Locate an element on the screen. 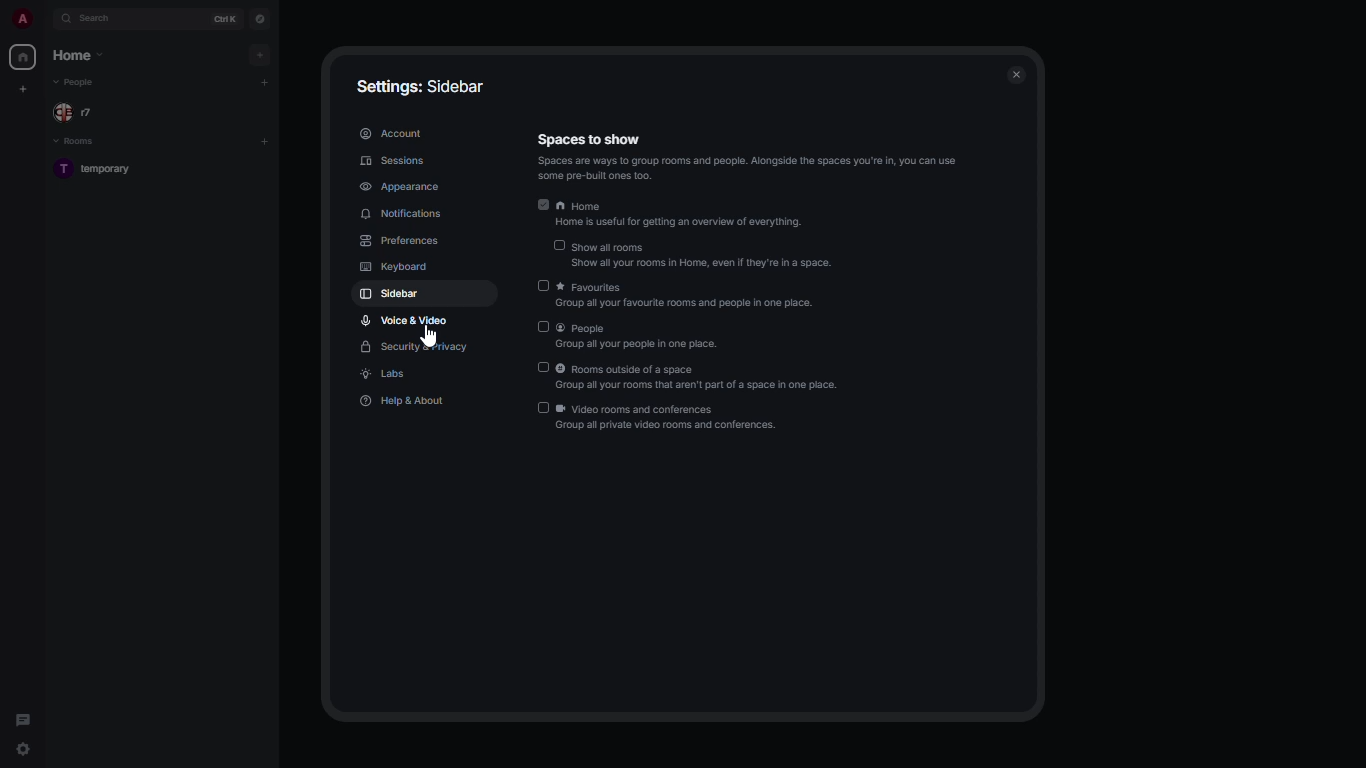 The width and height of the screenshot is (1366, 768). search is located at coordinates (103, 18).